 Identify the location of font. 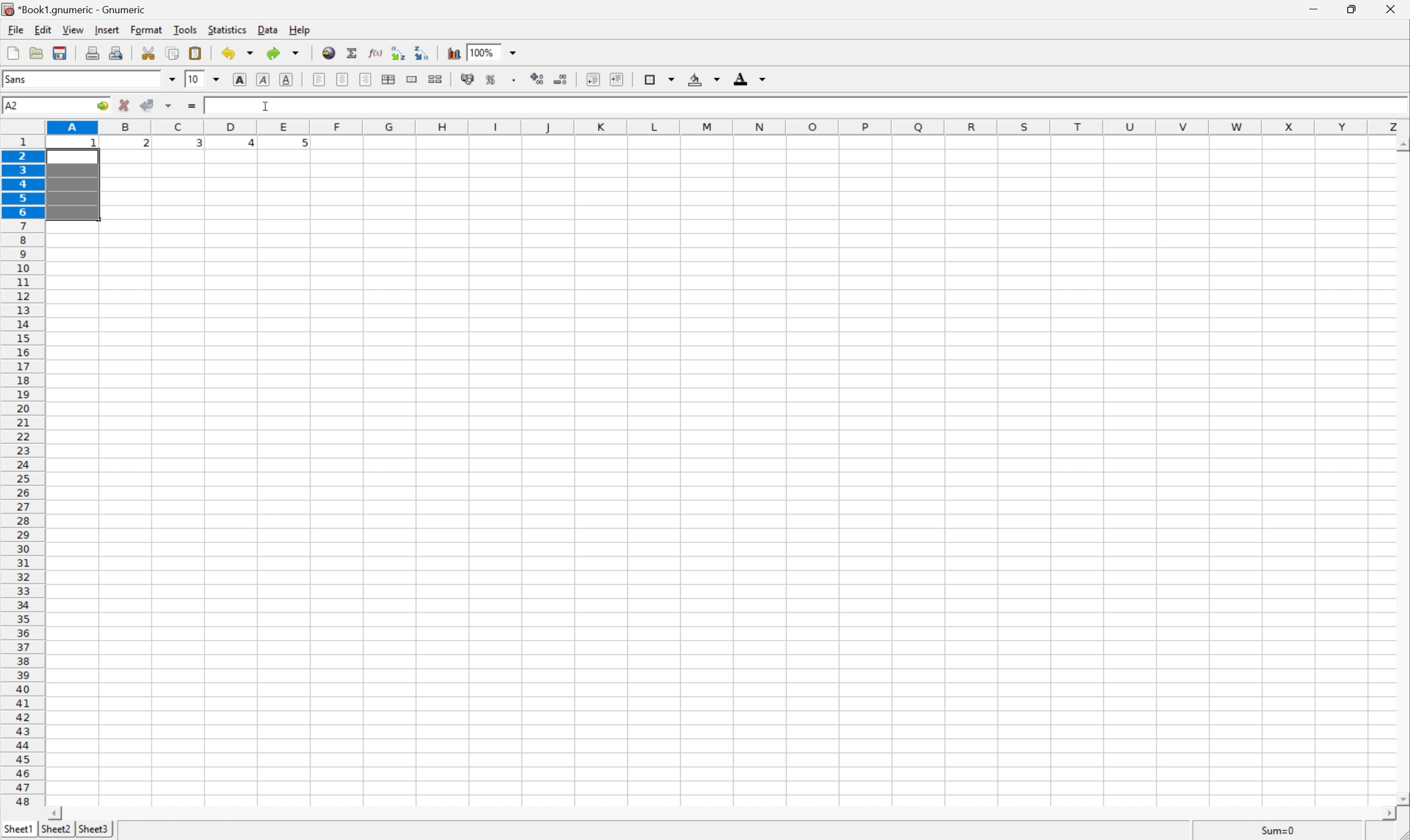
(20, 81).